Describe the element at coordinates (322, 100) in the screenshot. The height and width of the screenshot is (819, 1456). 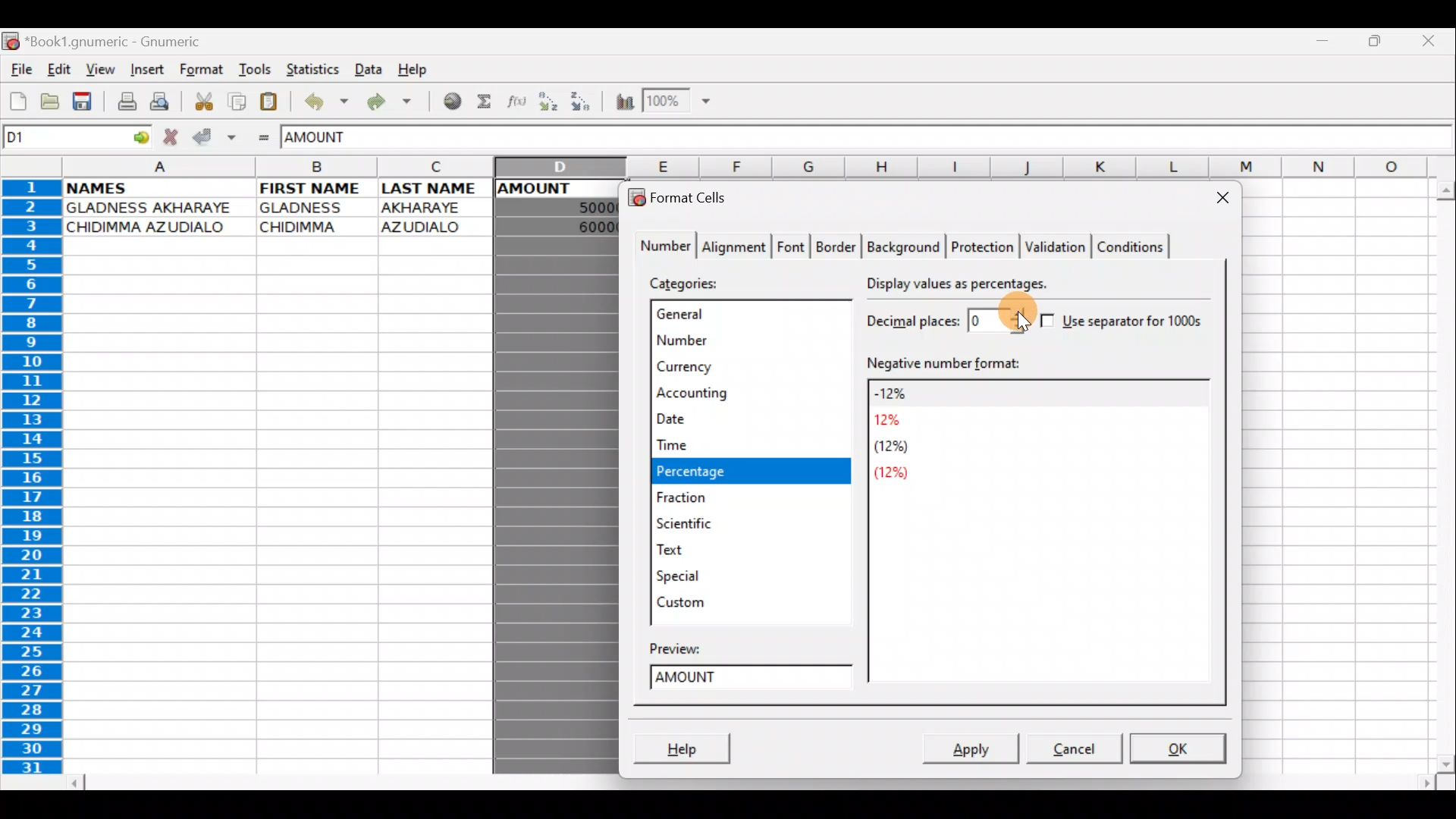
I see `Undo last action` at that location.